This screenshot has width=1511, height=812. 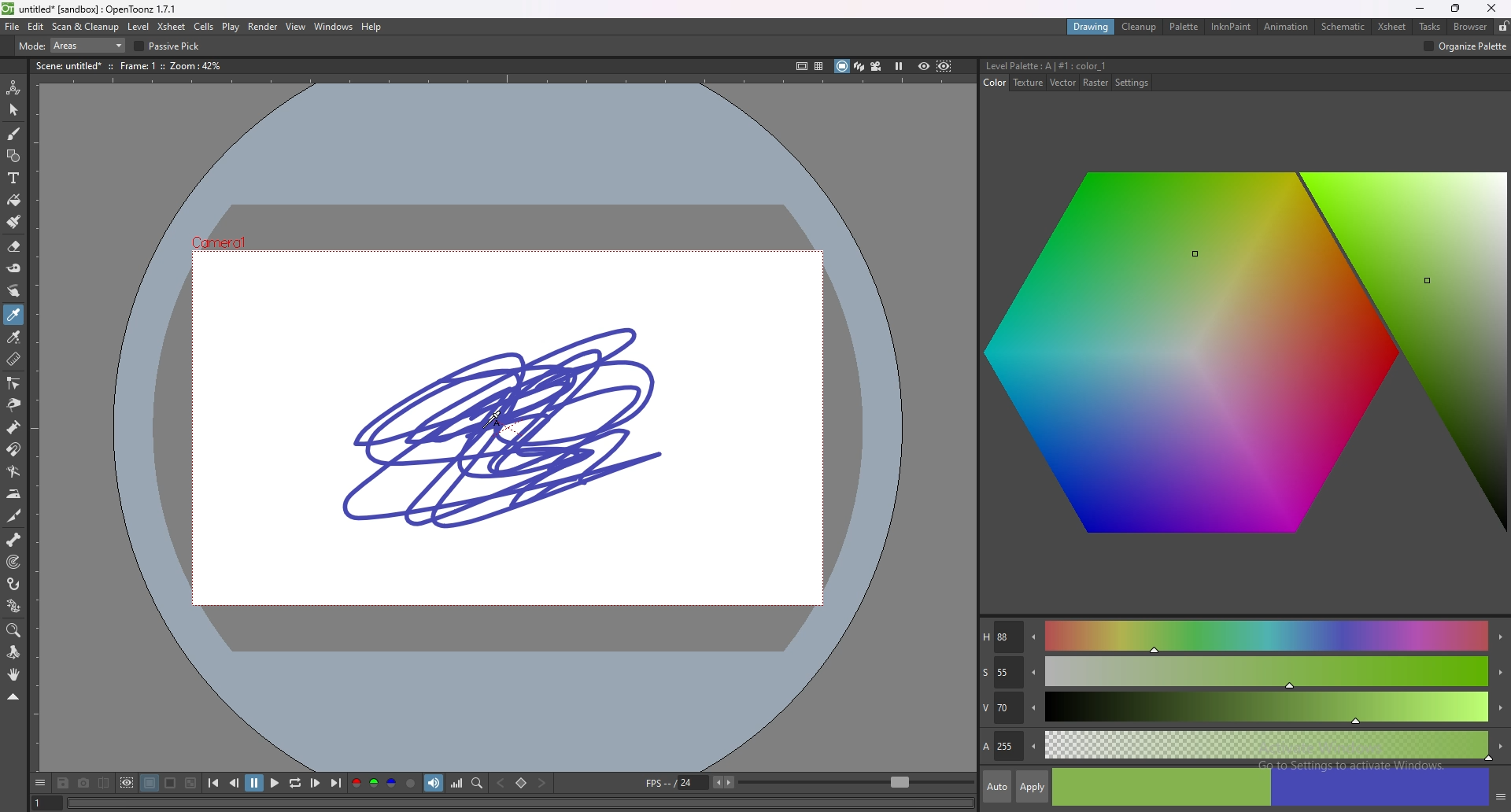 What do you see at coordinates (13, 155) in the screenshot?
I see `geometric tool` at bounding box center [13, 155].